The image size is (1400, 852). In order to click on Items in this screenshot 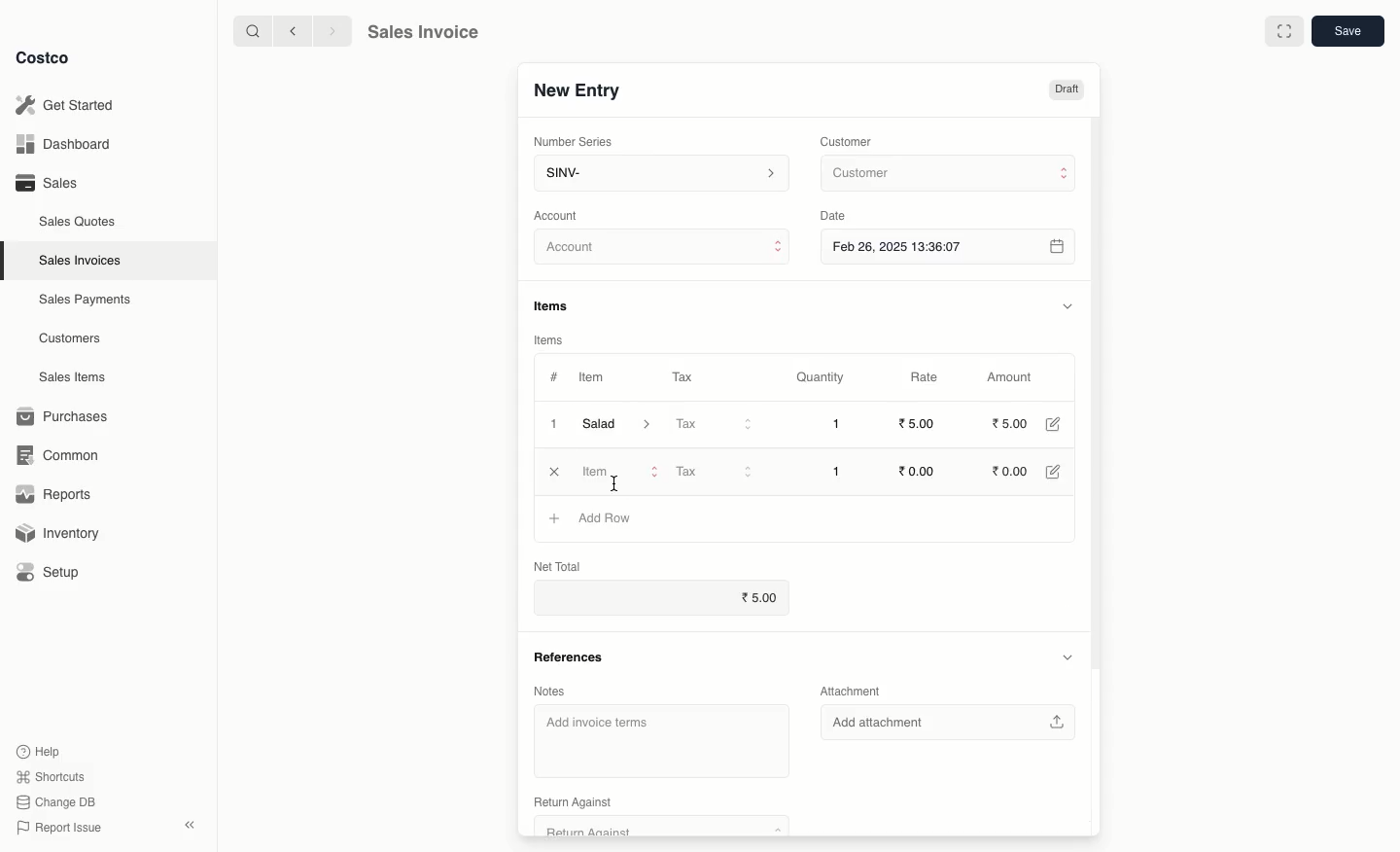, I will do `click(549, 339)`.